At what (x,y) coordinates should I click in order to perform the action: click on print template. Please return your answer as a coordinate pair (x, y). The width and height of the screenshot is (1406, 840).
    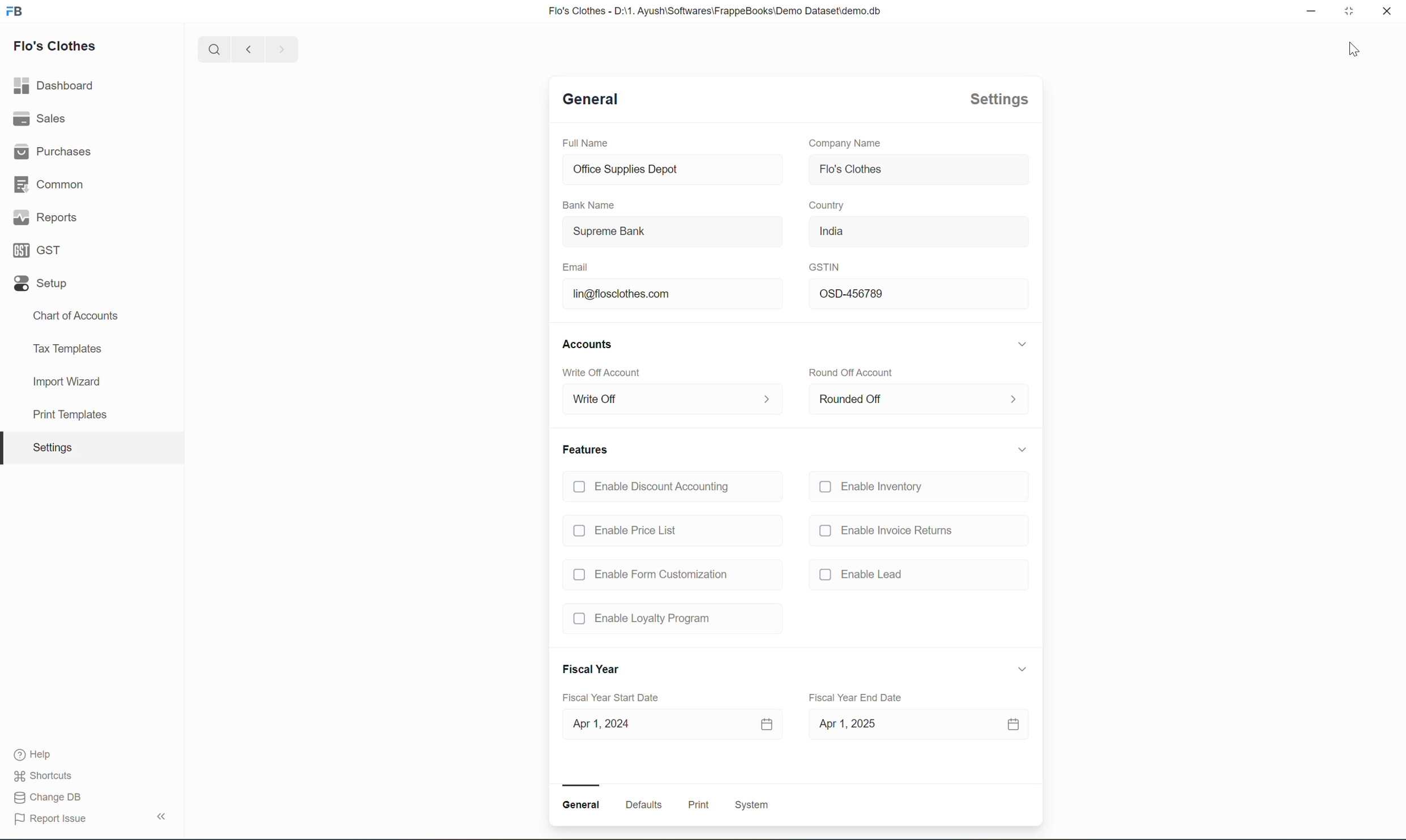
    Looking at the image, I should click on (63, 417).